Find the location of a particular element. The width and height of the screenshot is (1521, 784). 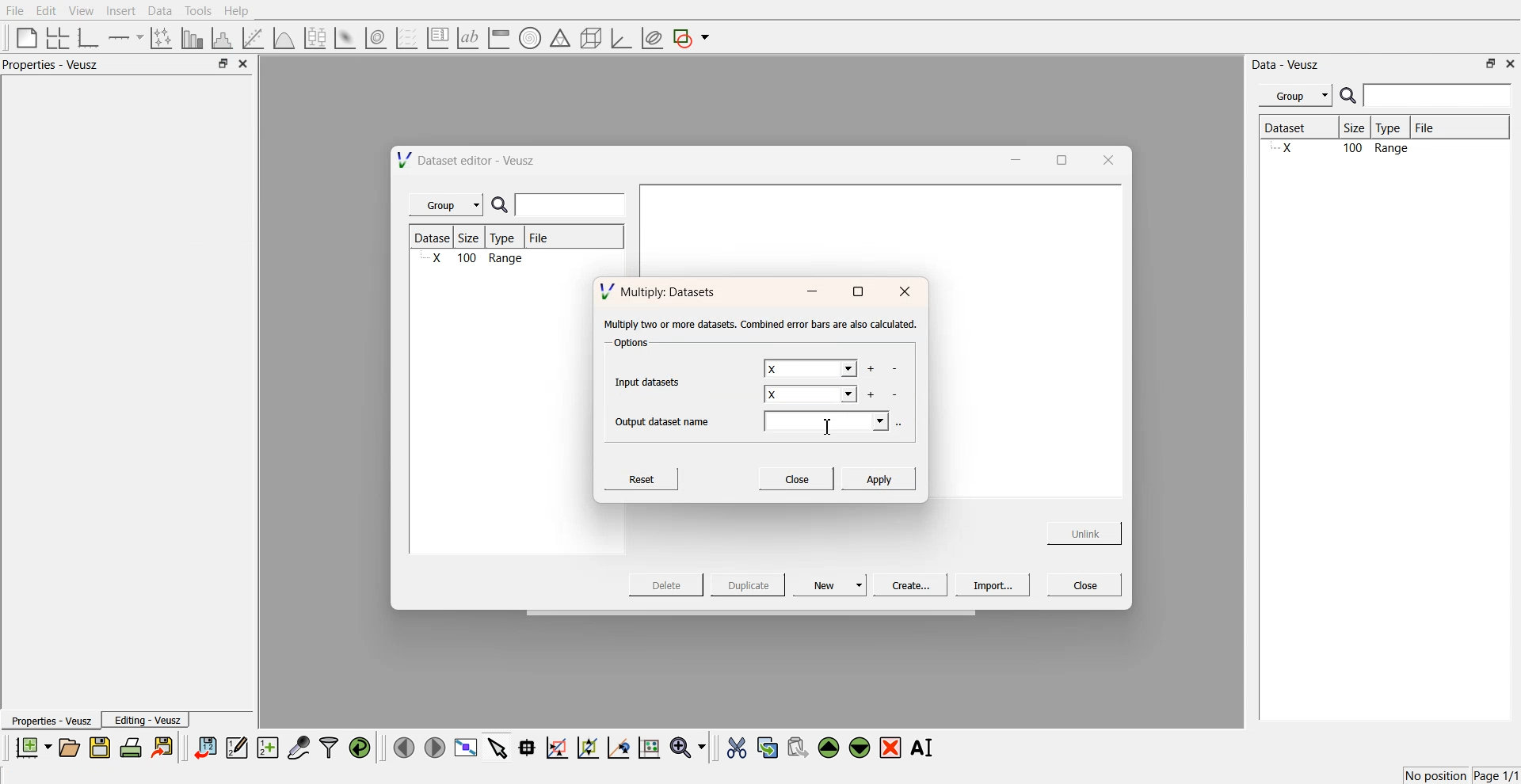

add  is located at coordinates (870, 394).